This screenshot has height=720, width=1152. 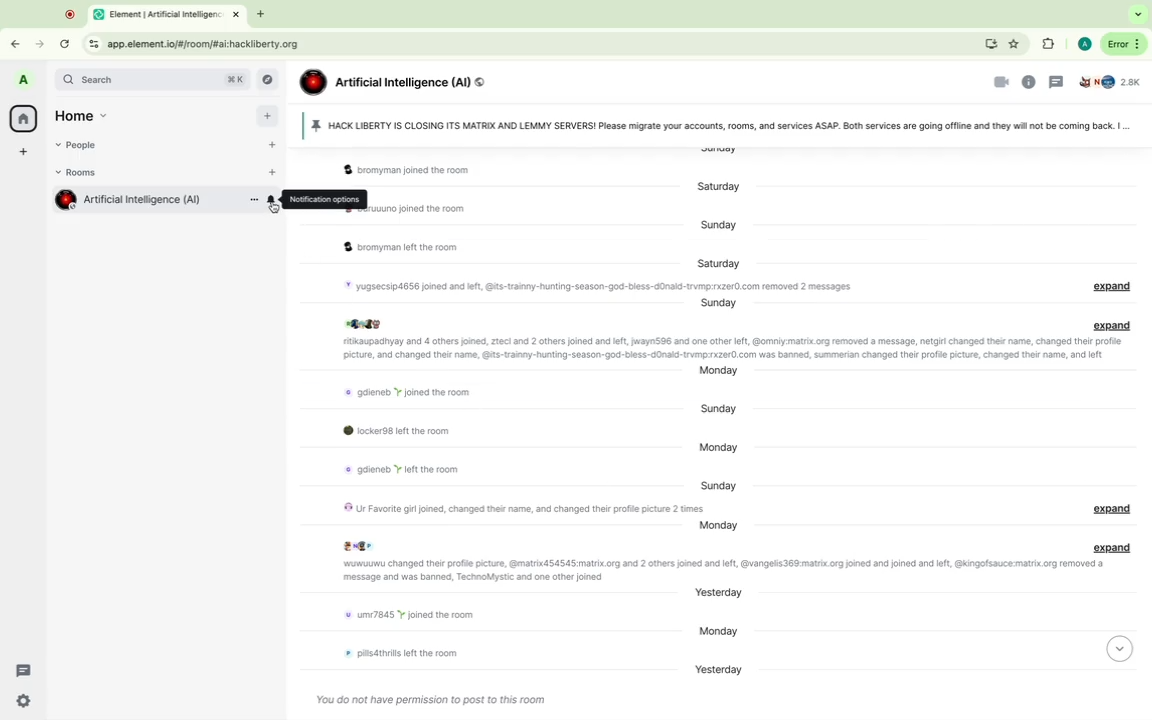 What do you see at coordinates (714, 225) in the screenshot?
I see `Day` at bounding box center [714, 225].